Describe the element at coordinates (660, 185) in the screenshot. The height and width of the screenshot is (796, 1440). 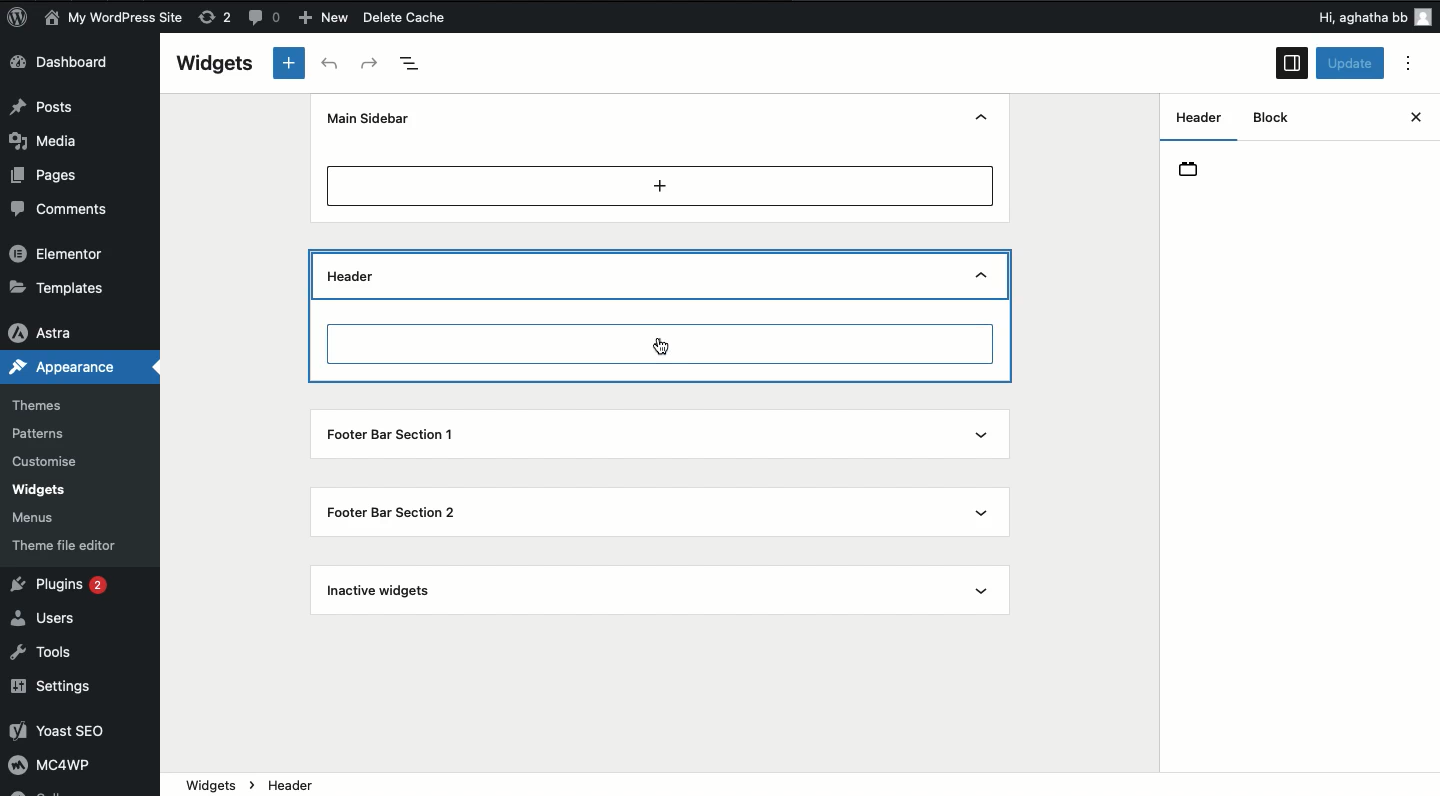
I see `Add new block` at that location.